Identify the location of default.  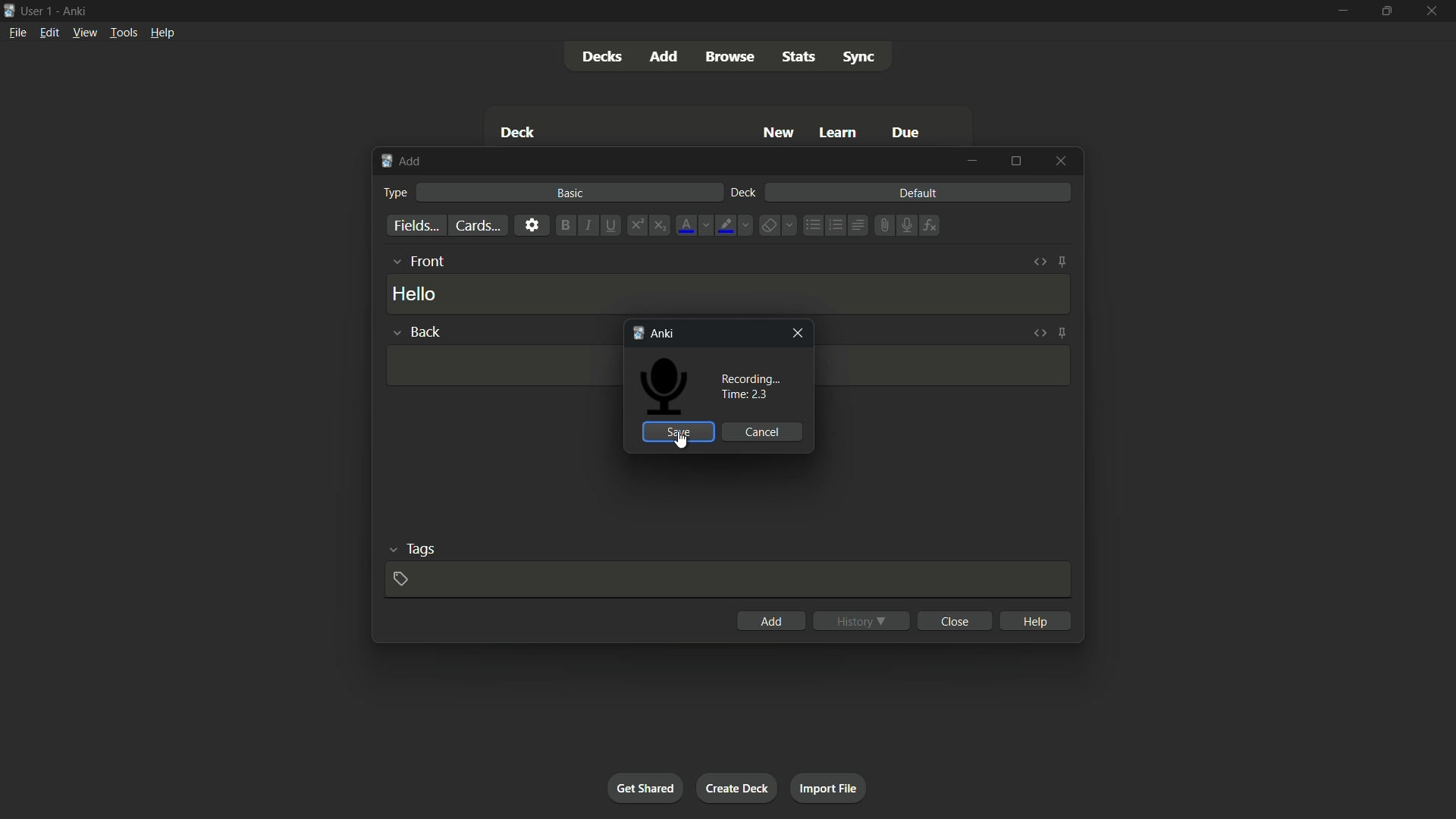
(918, 192).